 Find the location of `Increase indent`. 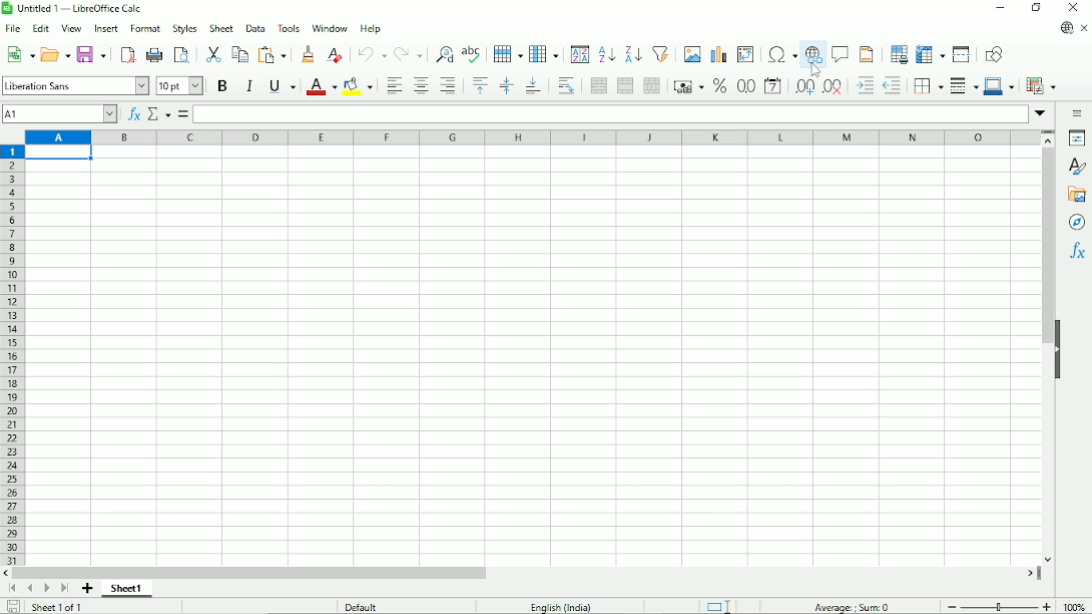

Increase indent is located at coordinates (863, 86).